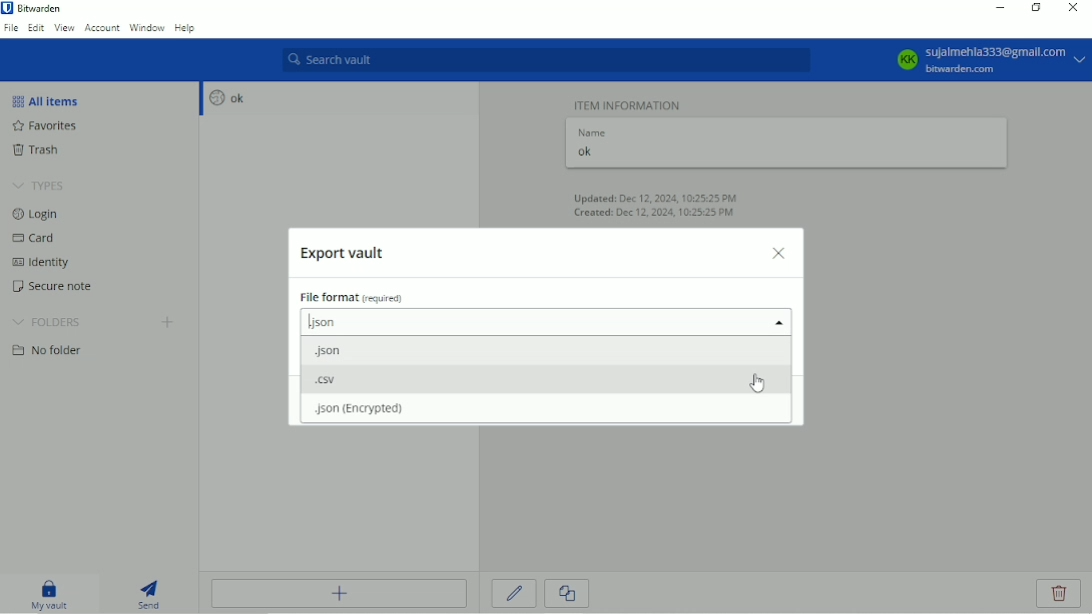 The image size is (1092, 614). I want to click on Cursor, so click(758, 382).